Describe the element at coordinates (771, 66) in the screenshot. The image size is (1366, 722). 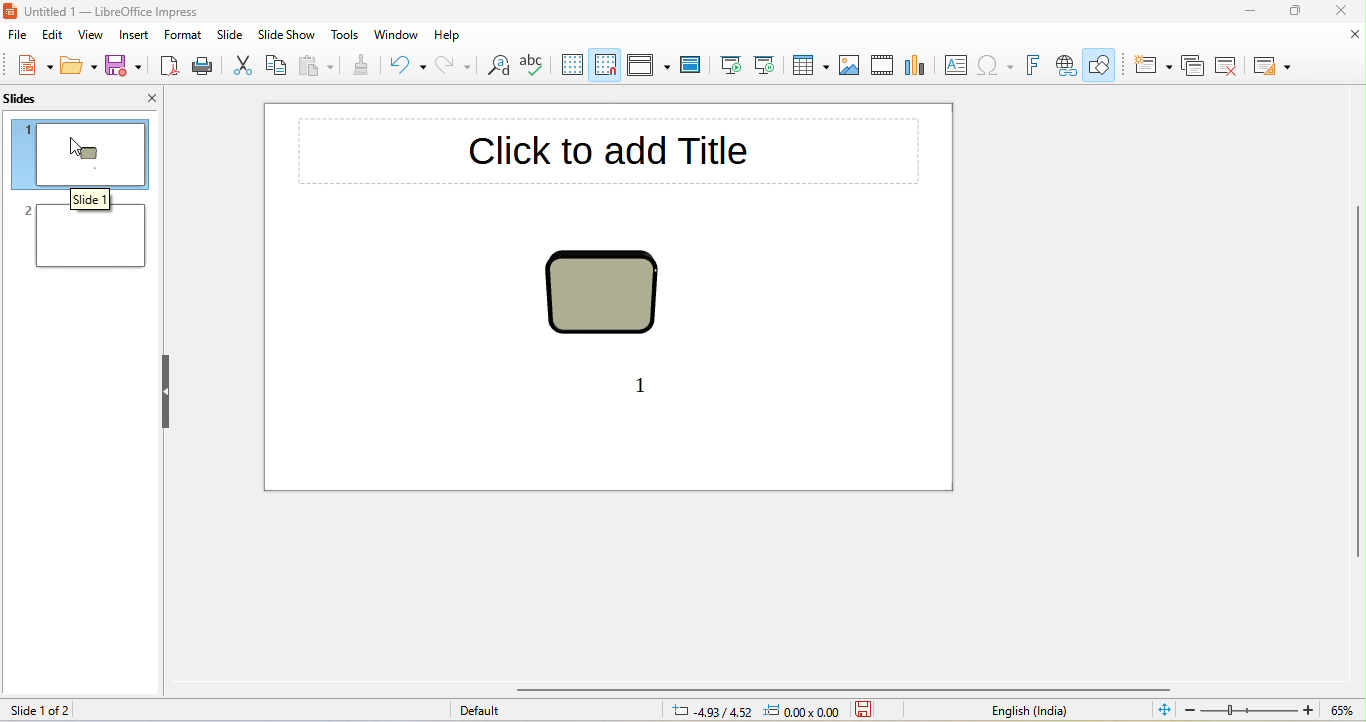
I see `start from current slide` at that location.